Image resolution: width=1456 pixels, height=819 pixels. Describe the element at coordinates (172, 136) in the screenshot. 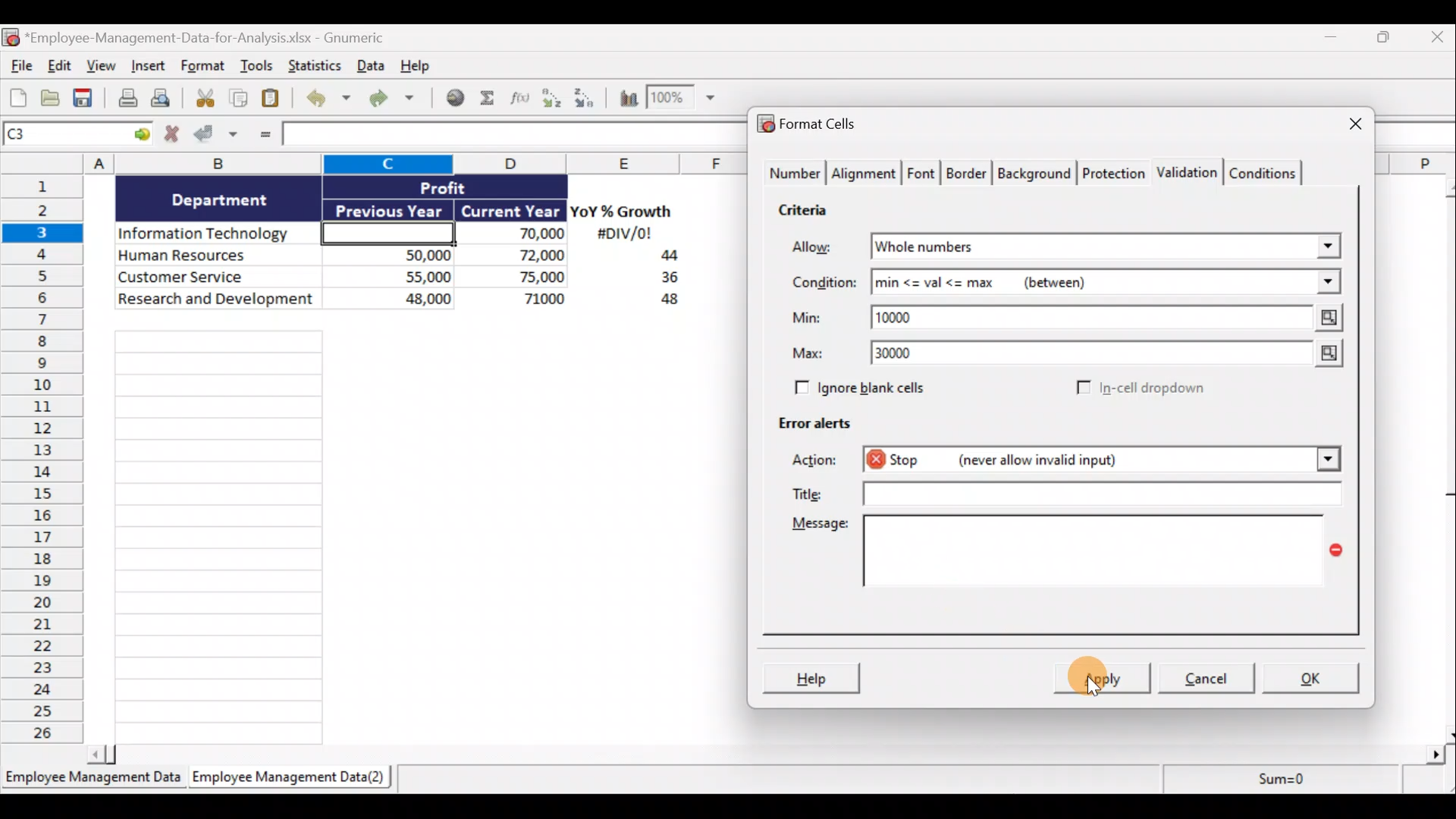

I see `Cancel changes` at that location.